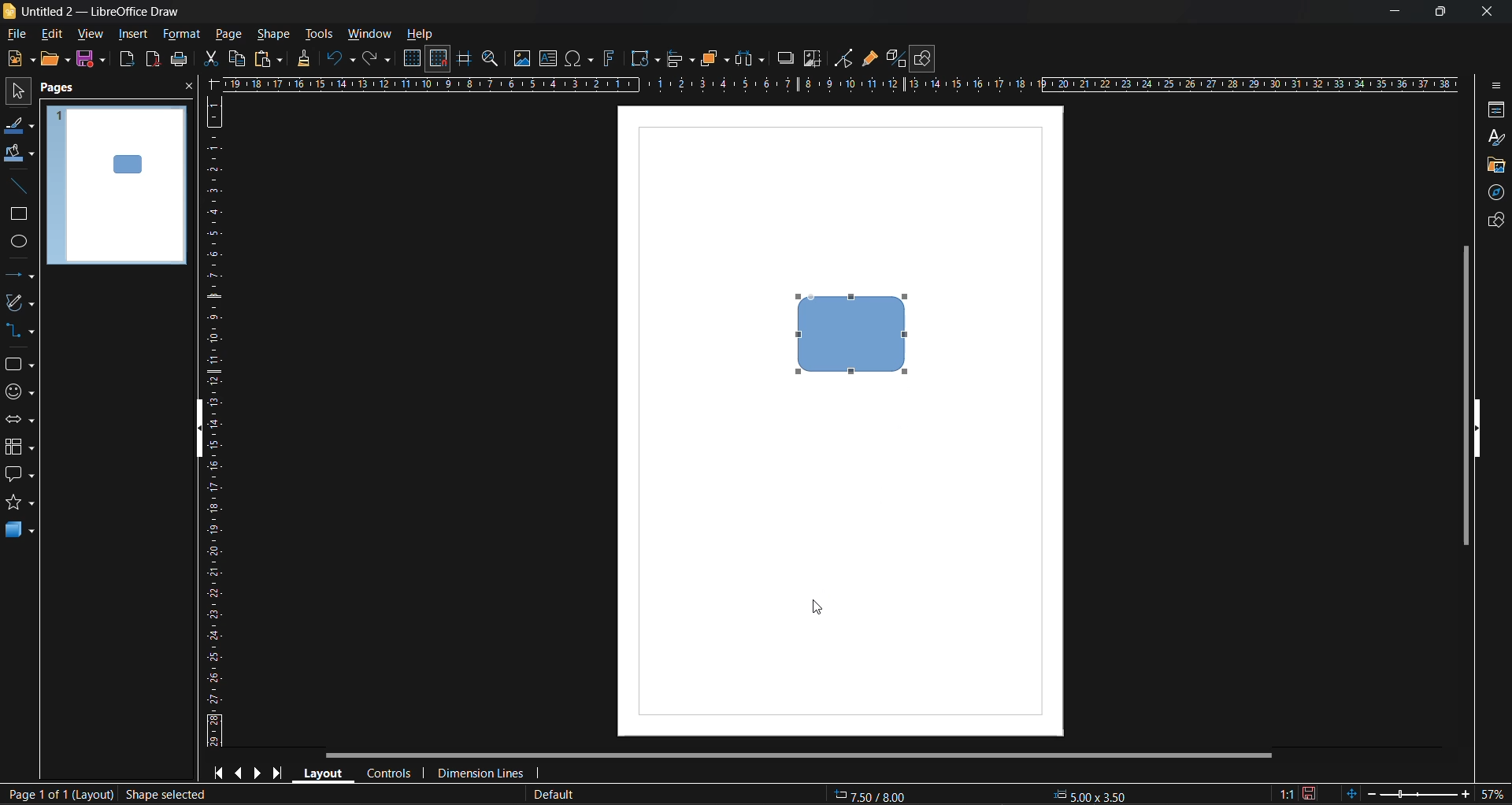  Describe the element at coordinates (19, 447) in the screenshot. I see `flowchart` at that location.